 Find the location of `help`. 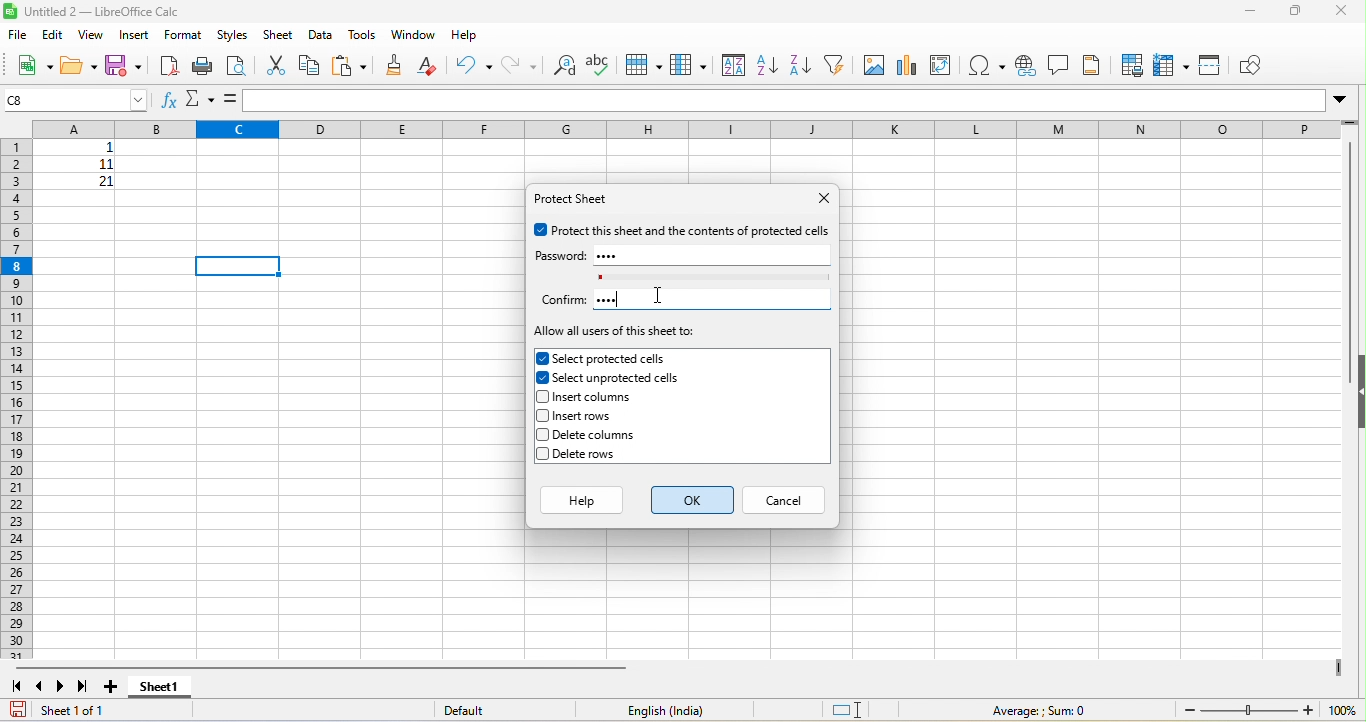

help is located at coordinates (583, 500).